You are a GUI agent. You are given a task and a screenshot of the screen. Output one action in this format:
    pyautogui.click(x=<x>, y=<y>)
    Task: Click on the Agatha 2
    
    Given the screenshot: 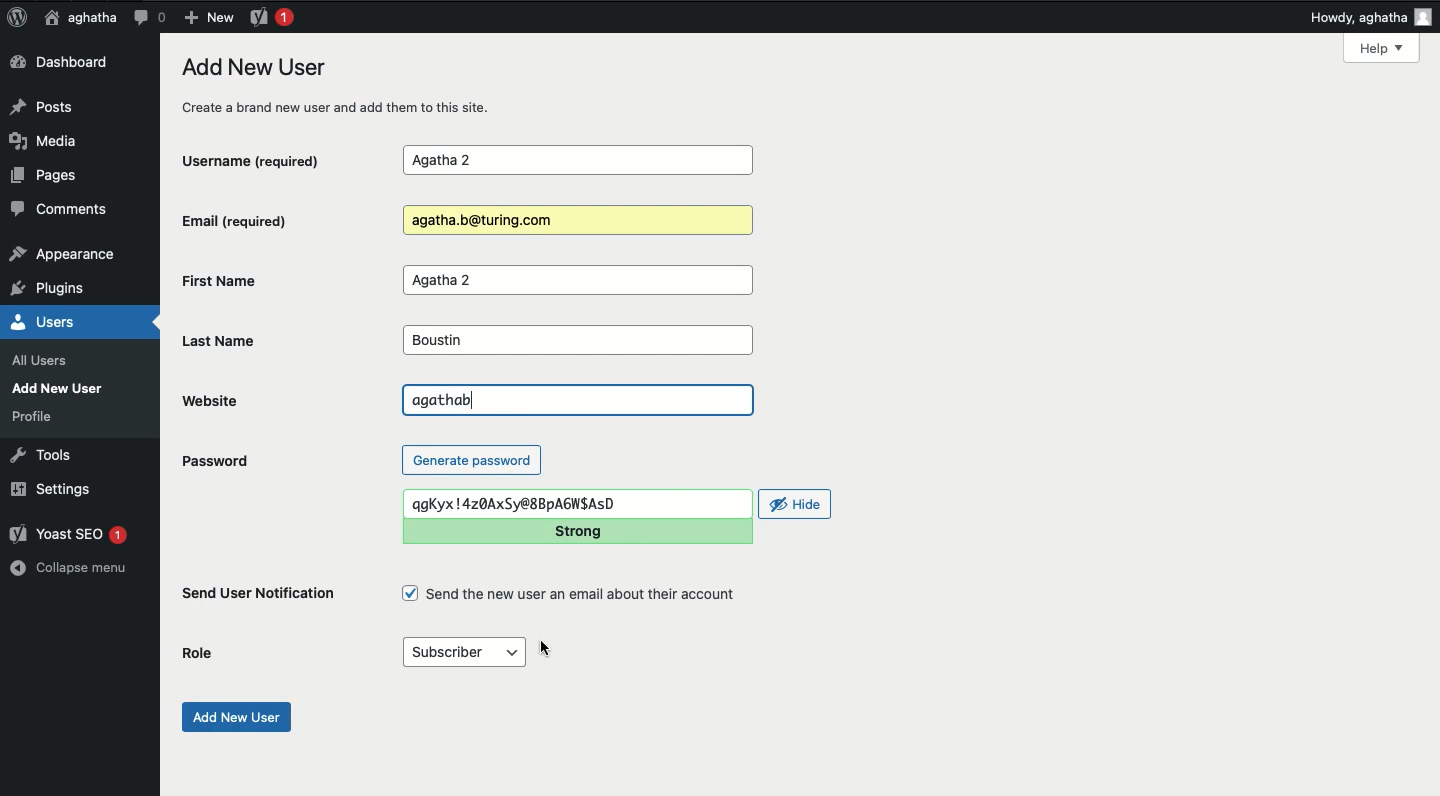 What is the action you would take?
    pyautogui.click(x=577, y=161)
    